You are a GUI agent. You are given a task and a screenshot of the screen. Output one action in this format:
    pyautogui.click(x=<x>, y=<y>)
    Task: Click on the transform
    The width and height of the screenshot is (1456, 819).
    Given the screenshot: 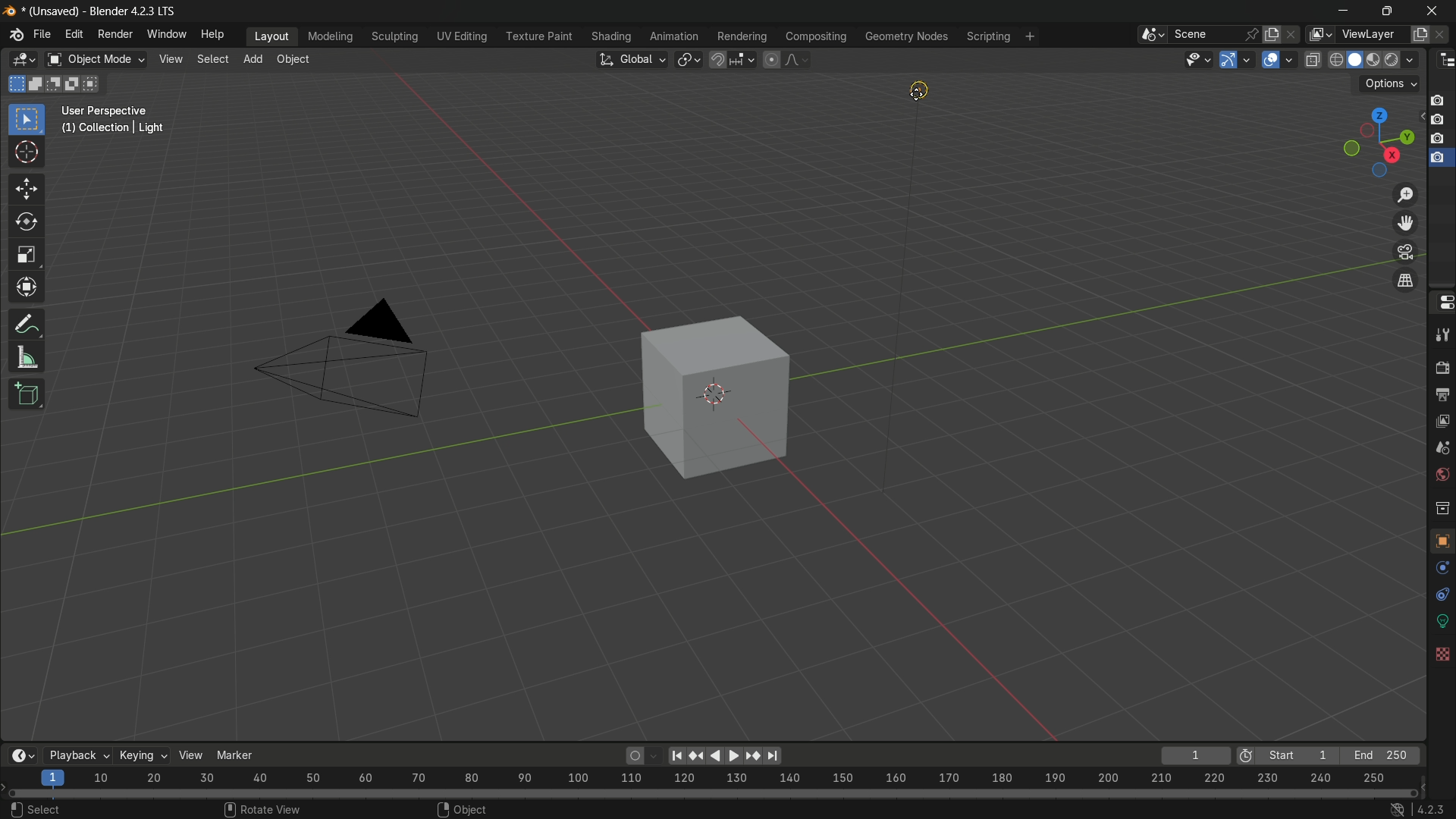 What is the action you would take?
    pyautogui.click(x=28, y=289)
    